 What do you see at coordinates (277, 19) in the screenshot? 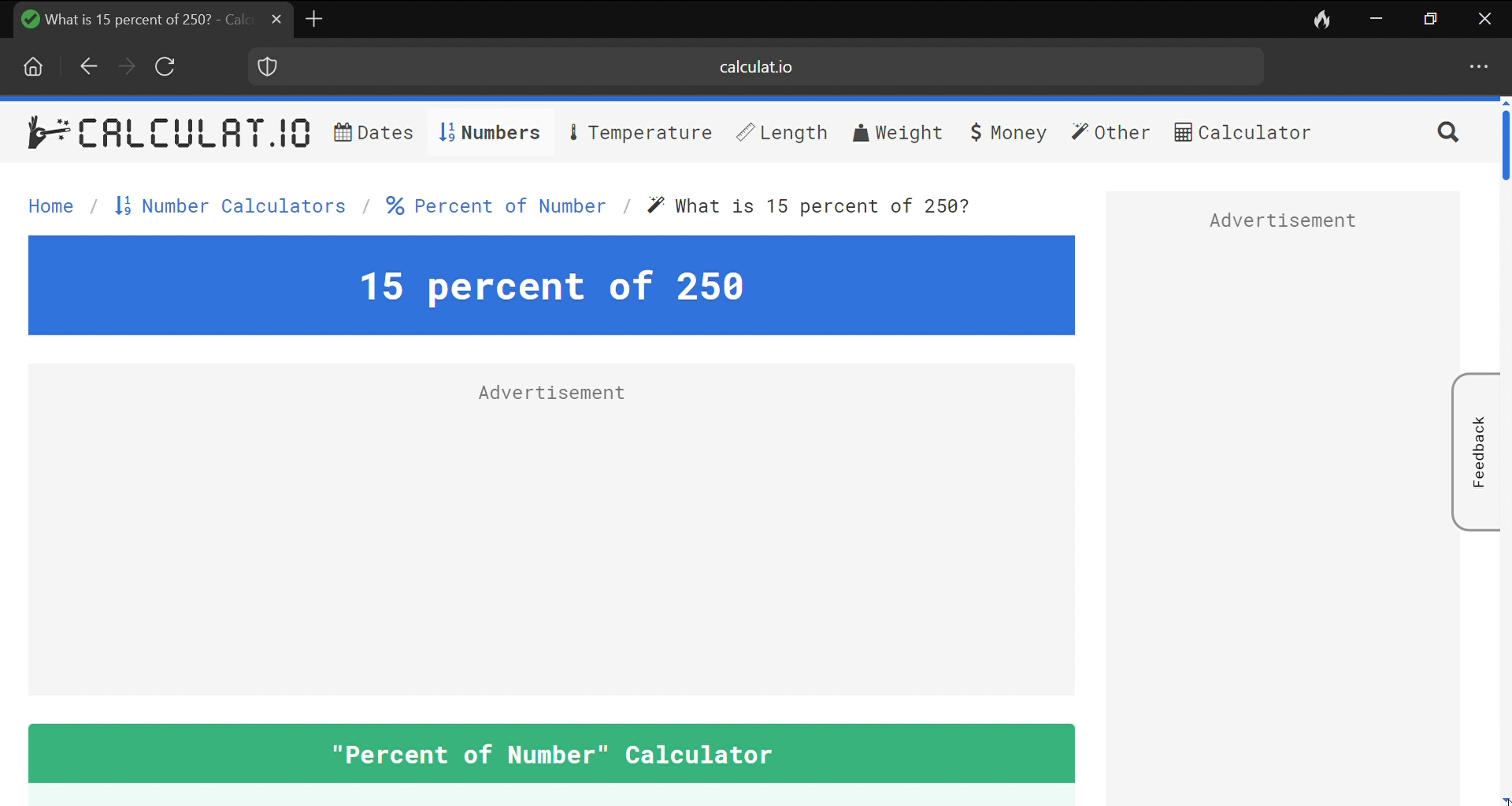
I see `Close current tab` at bounding box center [277, 19].